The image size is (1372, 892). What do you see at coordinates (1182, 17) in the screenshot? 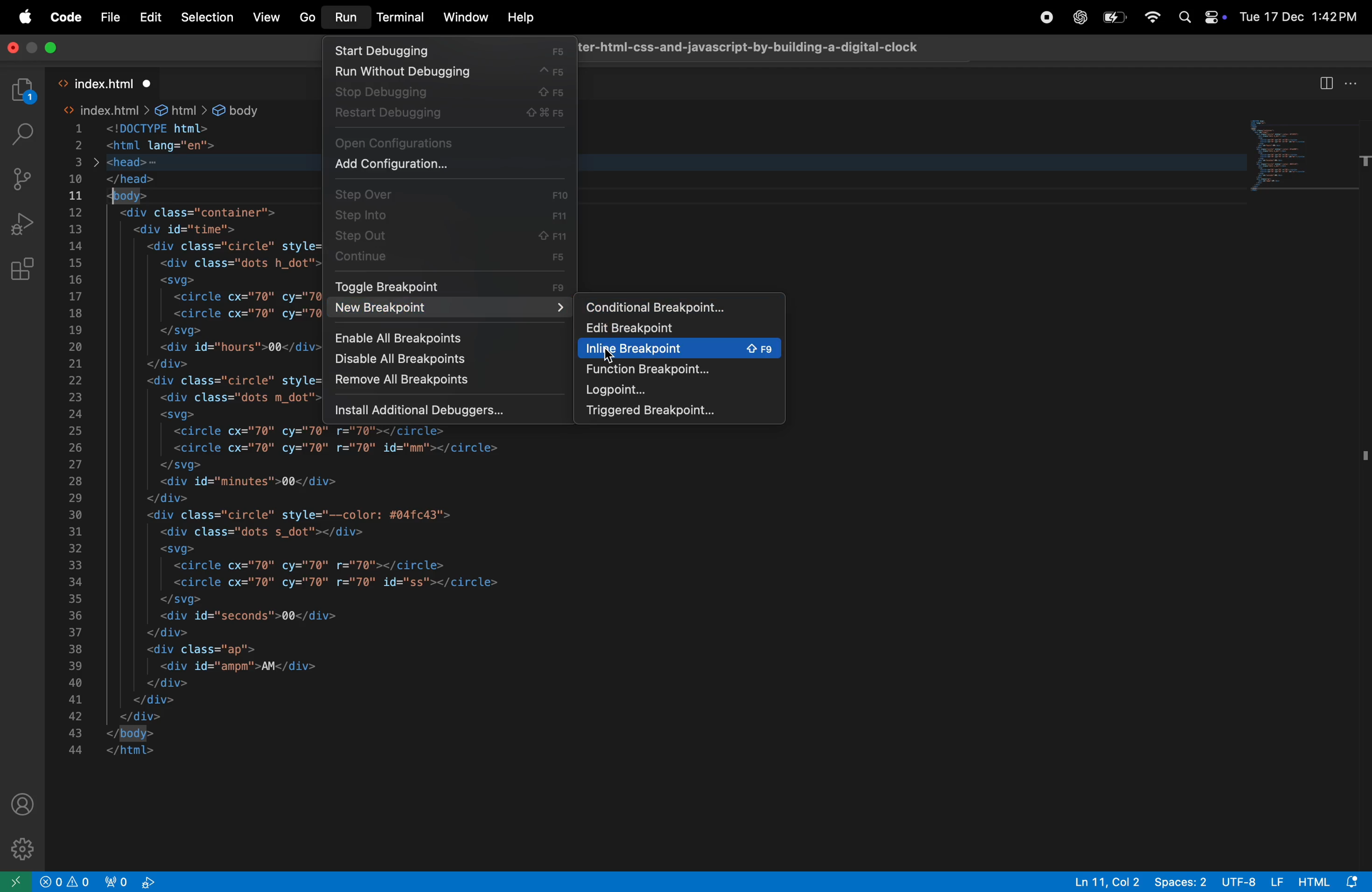
I see `Spotlight` at bounding box center [1182, 17].